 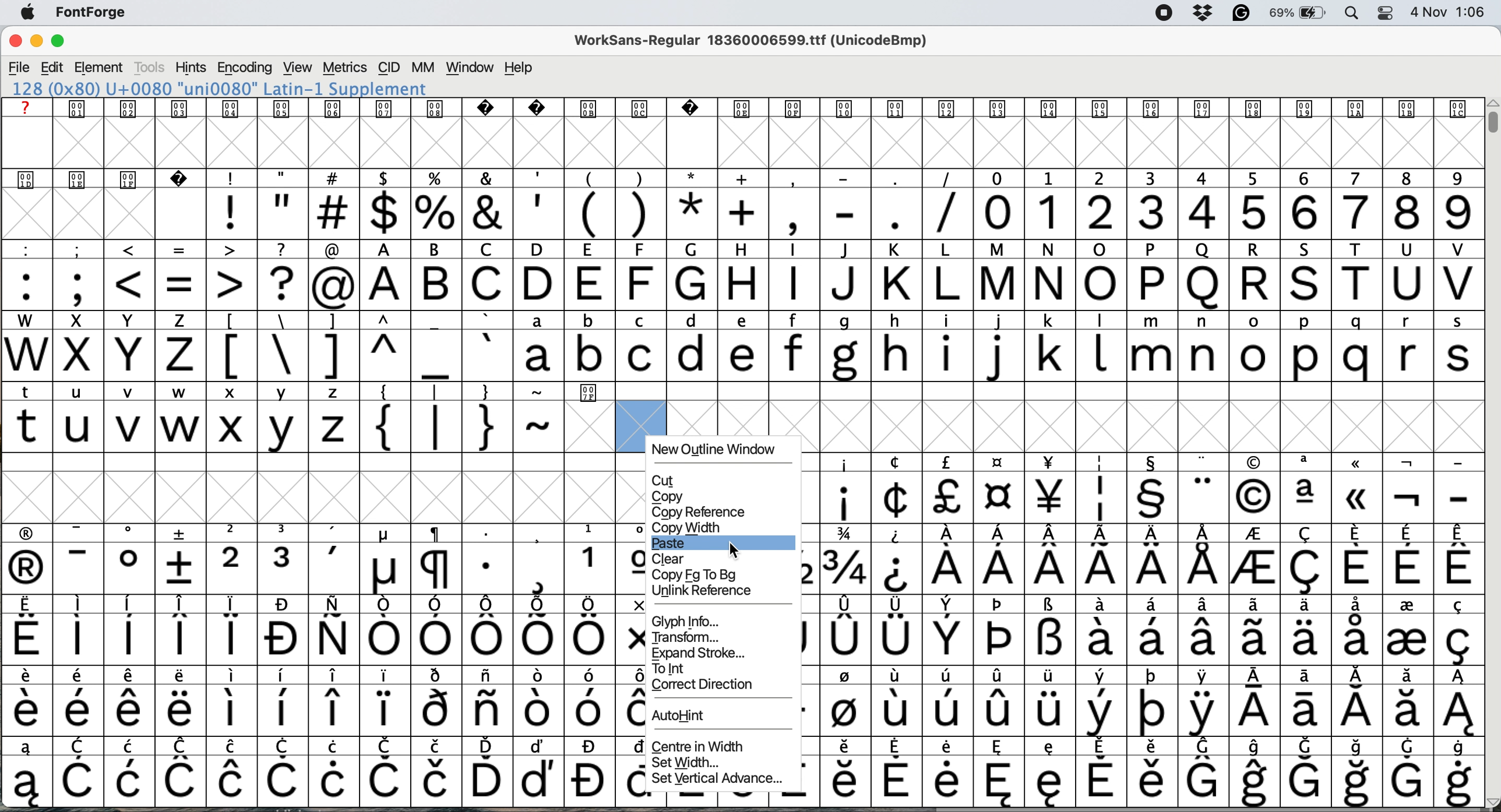 What do you see at coordinates (33, 13) in the screenshot?
I see `system logo` at bounding box center [33, 13].